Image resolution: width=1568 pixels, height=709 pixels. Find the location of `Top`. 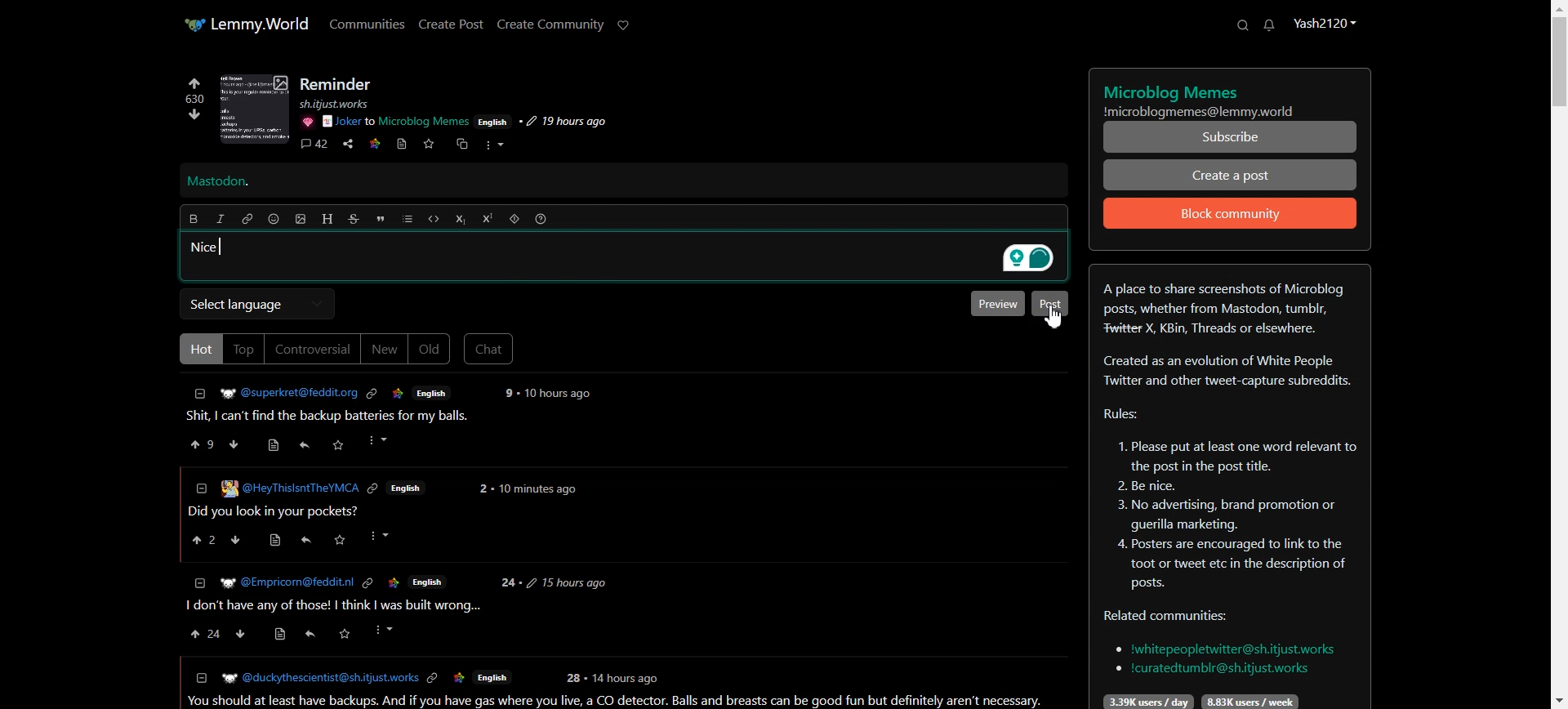

Top is located at coordinates (243, 349).